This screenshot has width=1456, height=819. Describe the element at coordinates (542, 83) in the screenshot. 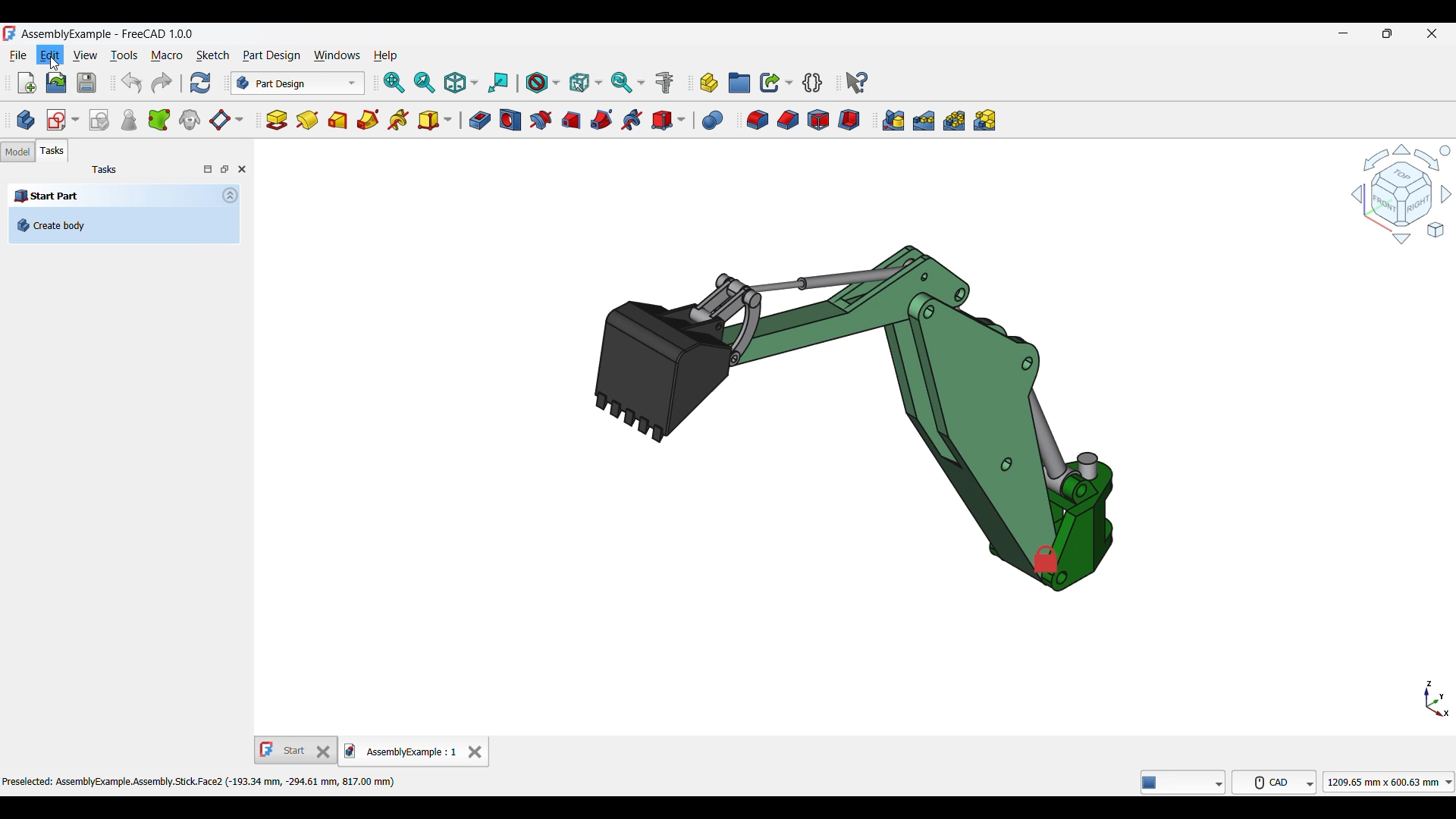

I see `Draw style options` at that location.